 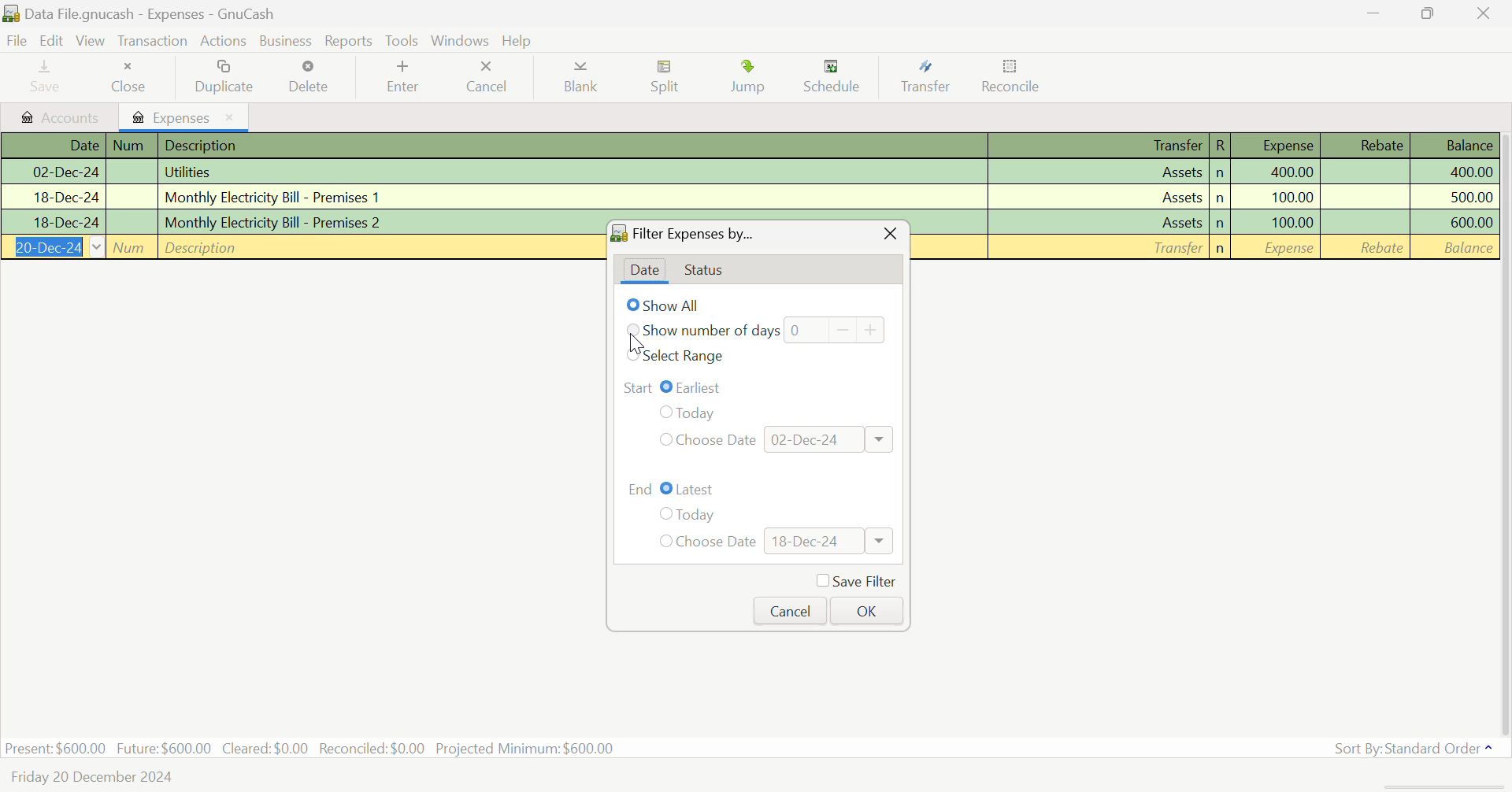 I want to click on Edit, so click(x=52, y=41).